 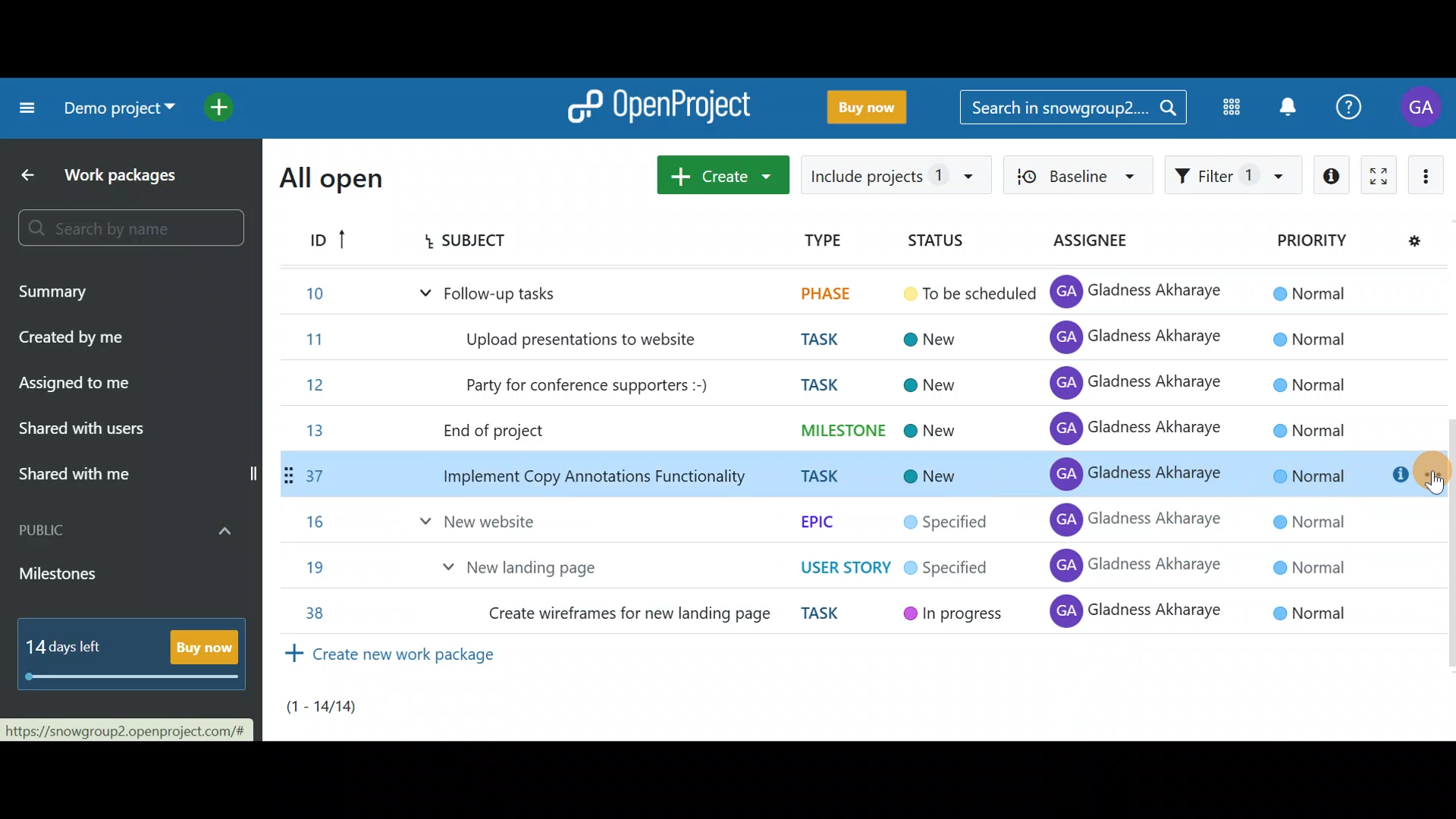 What do you see at coordinates (1405, 241) in the screenshot?
I see `Configure view` at bounding box center [1405, 241].